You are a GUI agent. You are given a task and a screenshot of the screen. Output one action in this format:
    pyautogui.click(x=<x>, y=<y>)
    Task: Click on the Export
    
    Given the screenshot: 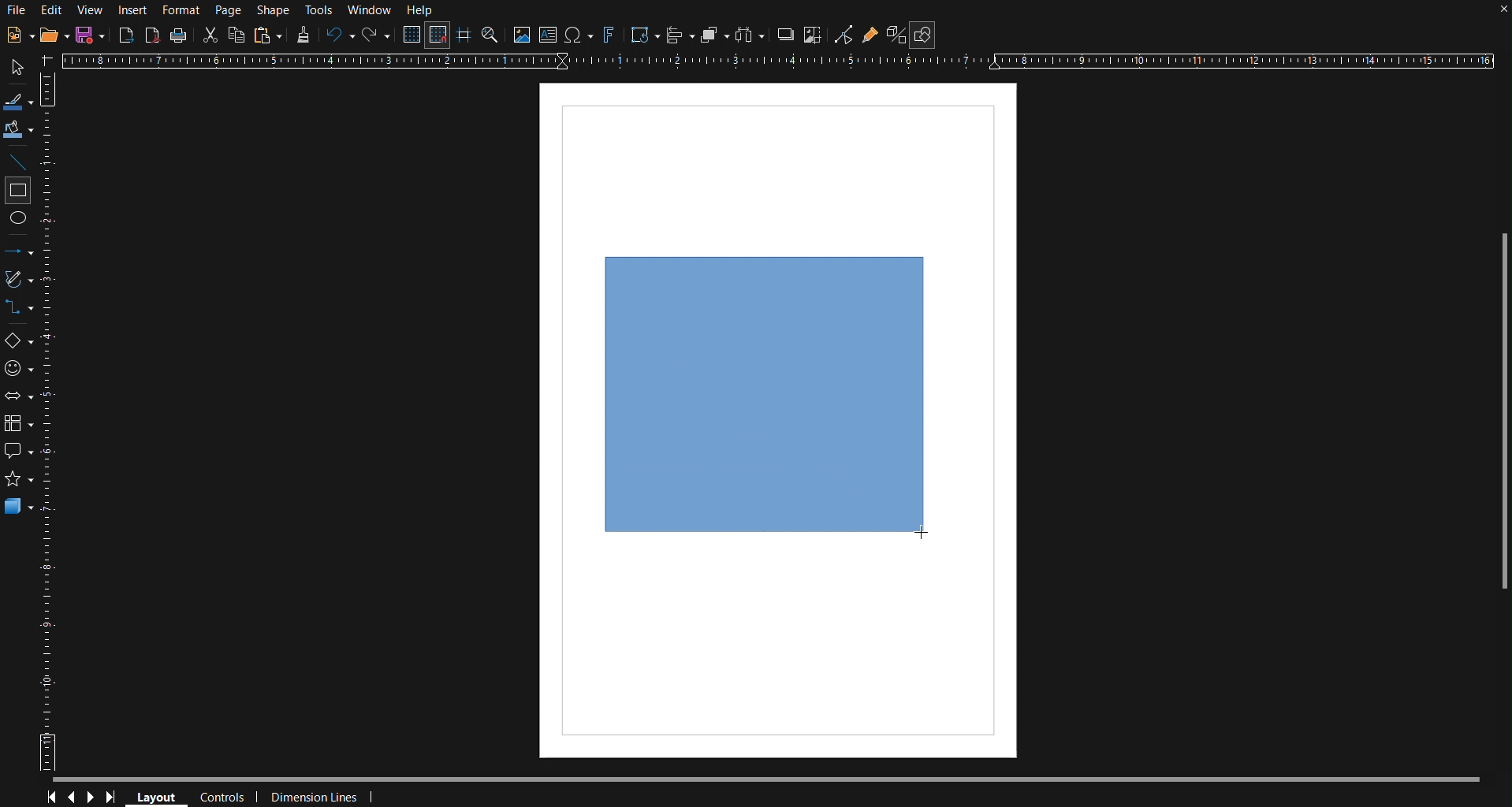 What is the action you would take?
    pyautogui.click(x=126, y=35)
    